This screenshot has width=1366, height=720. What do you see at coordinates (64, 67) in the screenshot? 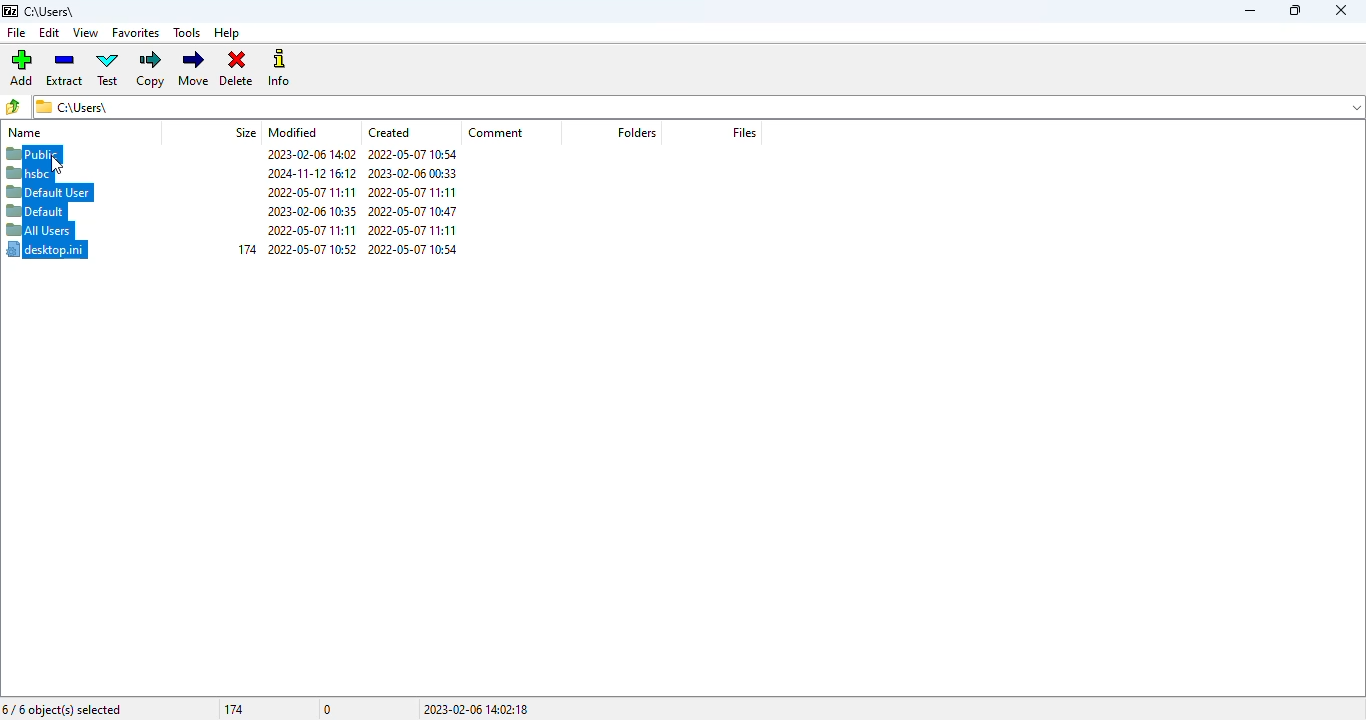
I see `extract` at bounding box center [64, 67].